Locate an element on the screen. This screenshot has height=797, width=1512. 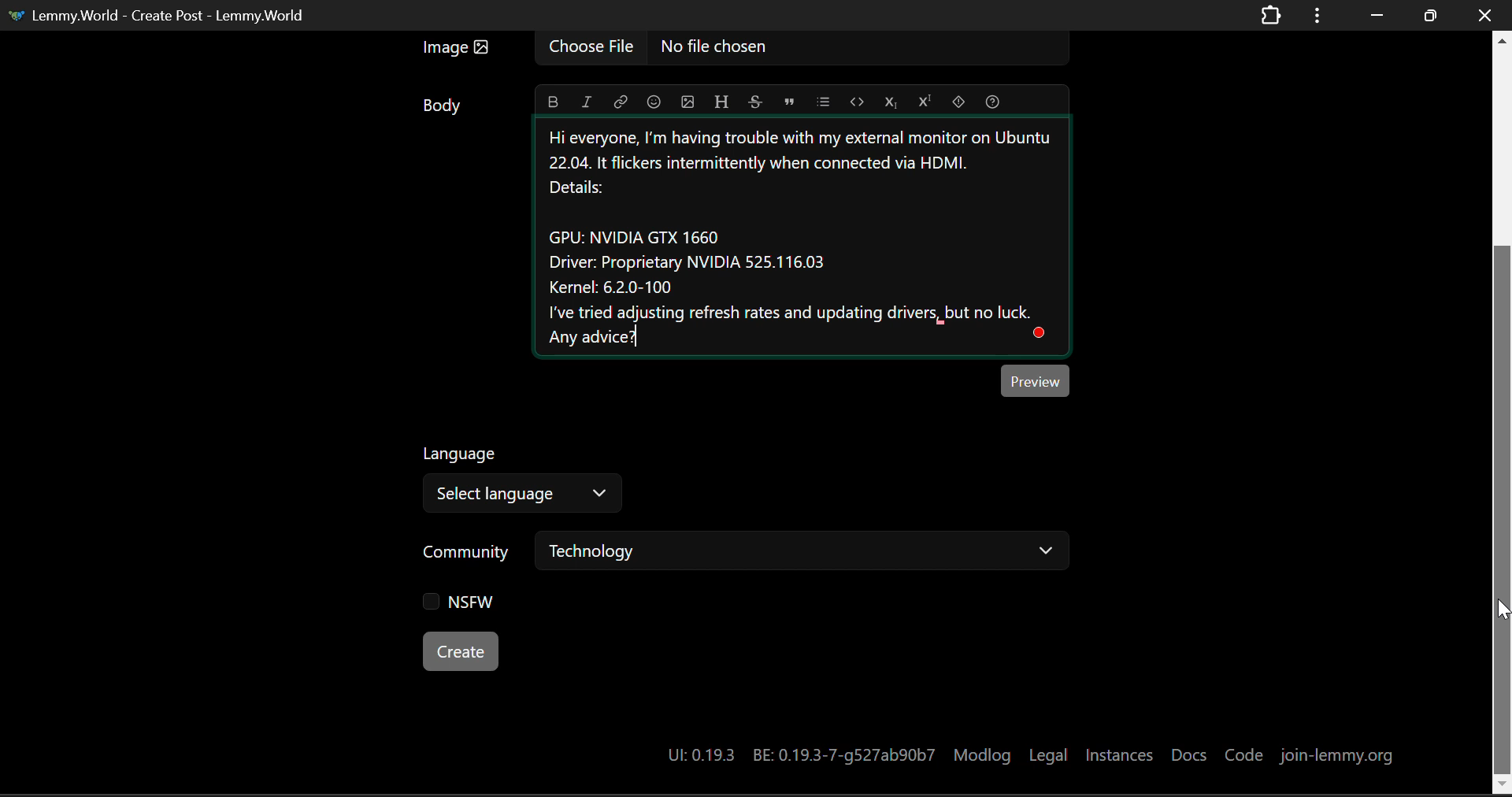
Window Options is located at coordinates (1319, 16).